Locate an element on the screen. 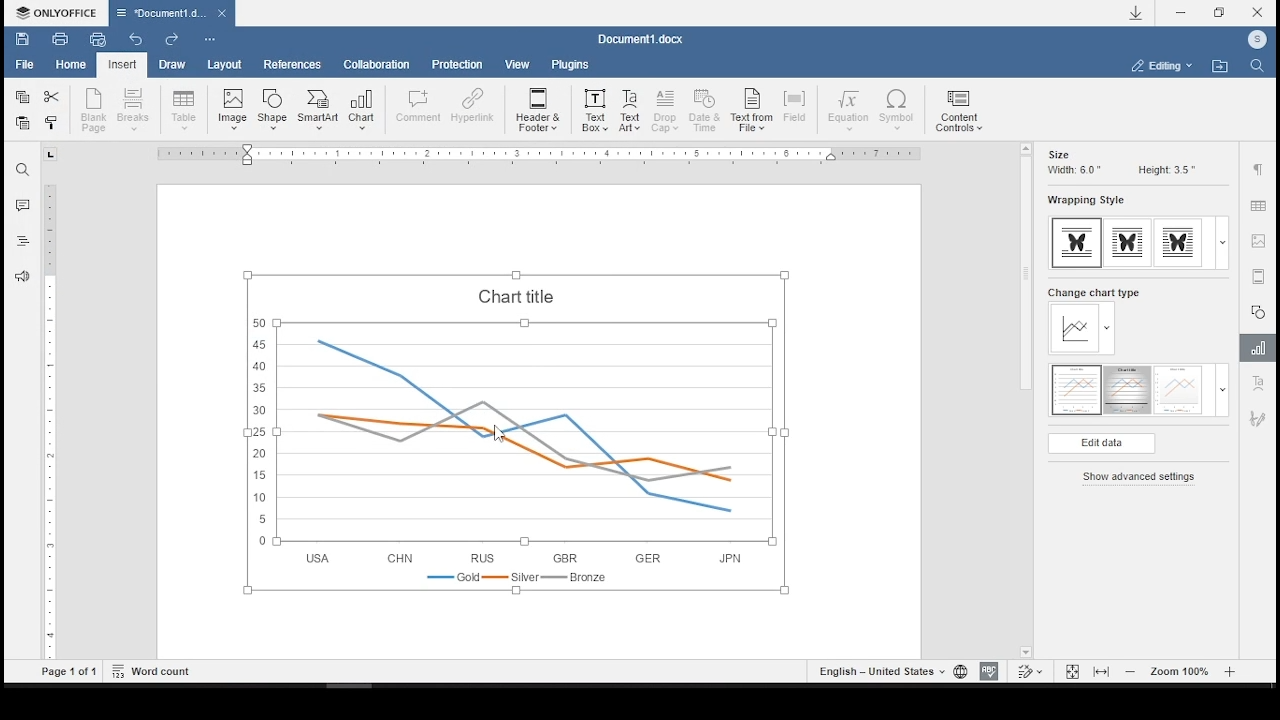 Image resolution: width=1280 pixels, height=720 pixels. insert page break is located at coordinates (136, 109).